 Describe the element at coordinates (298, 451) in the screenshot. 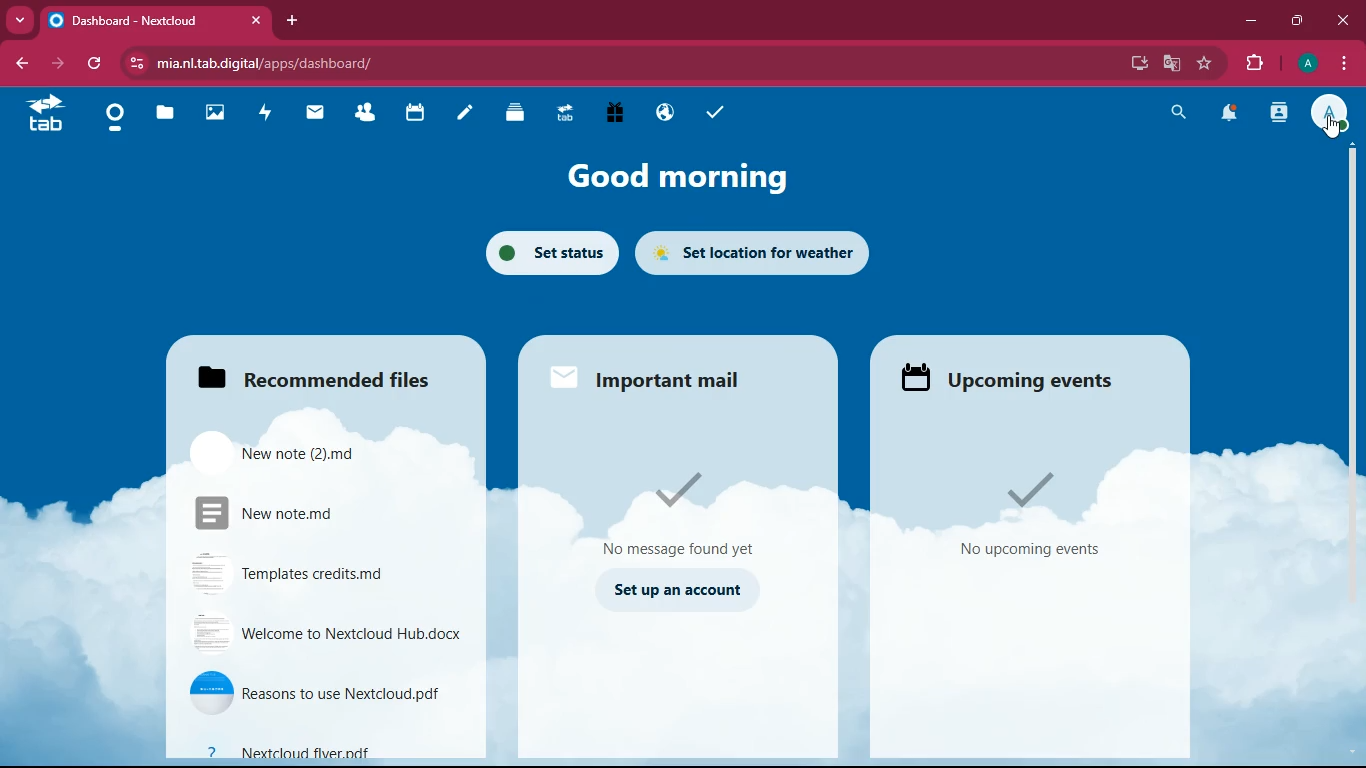

I see `file` at that location.